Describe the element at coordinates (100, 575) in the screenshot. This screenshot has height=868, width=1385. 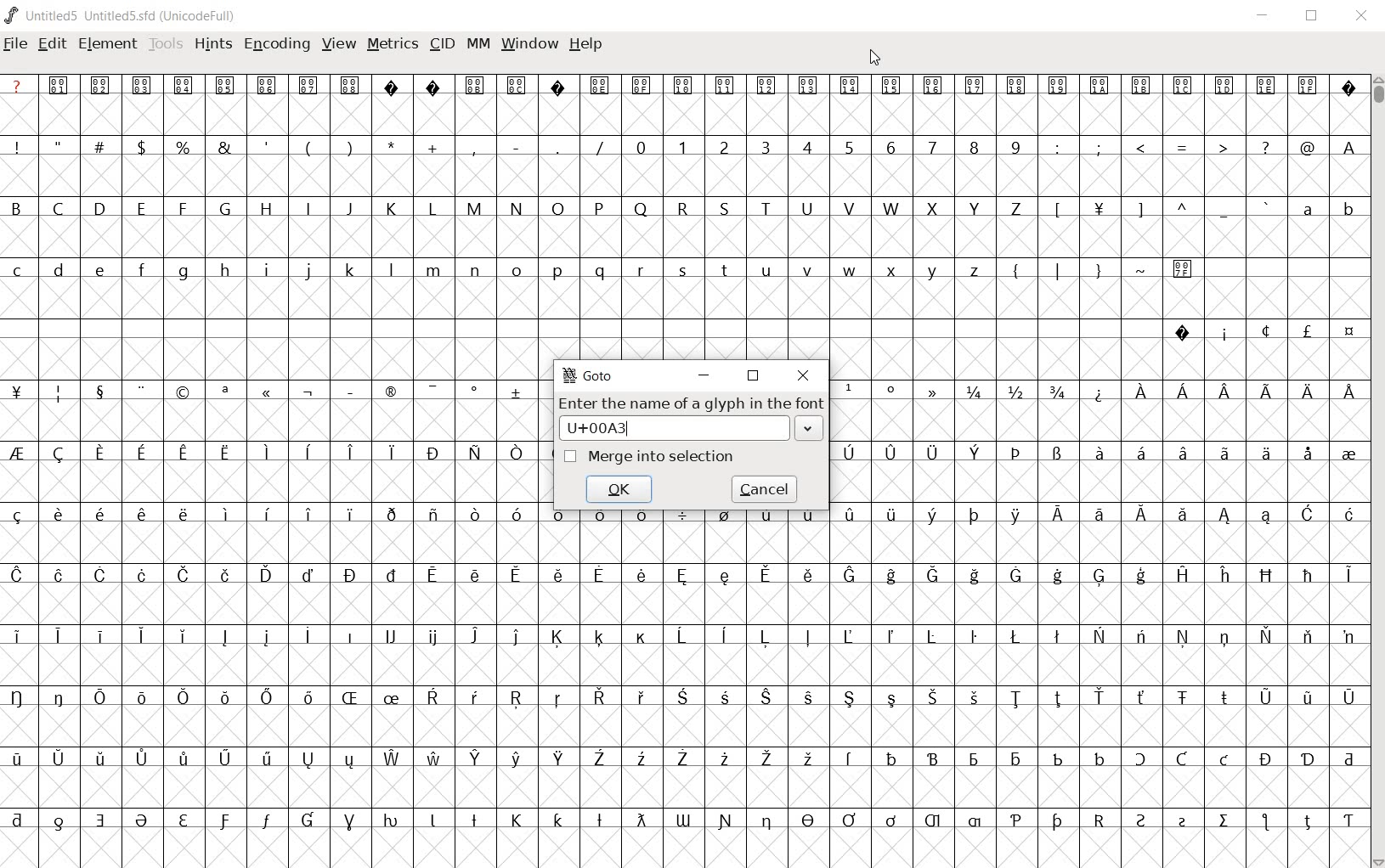
I see `Symbol` at that location.